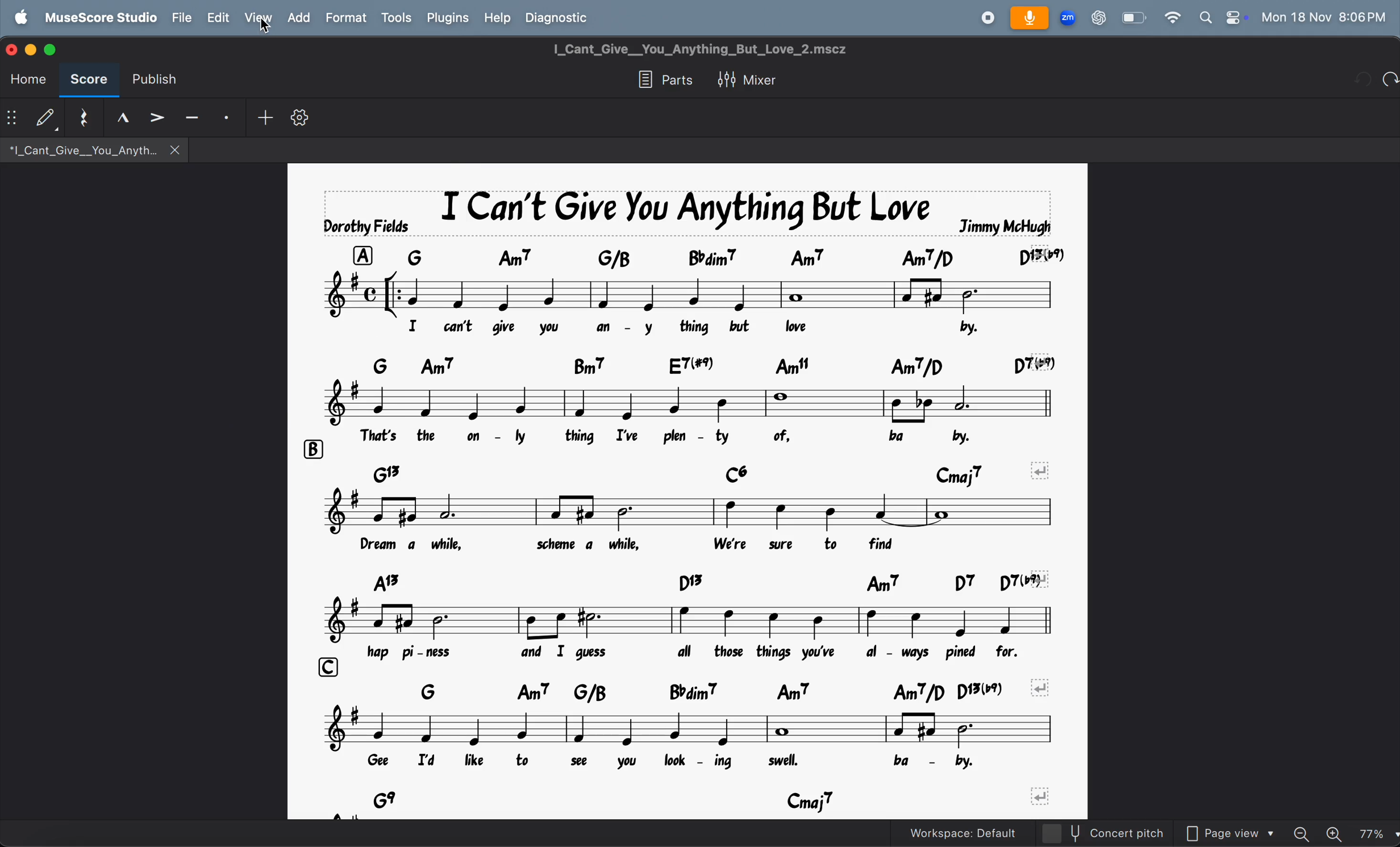  What do you see at coordinates (362, 254) in the screenshot?
I see `row` at bounding box center [362, 254].